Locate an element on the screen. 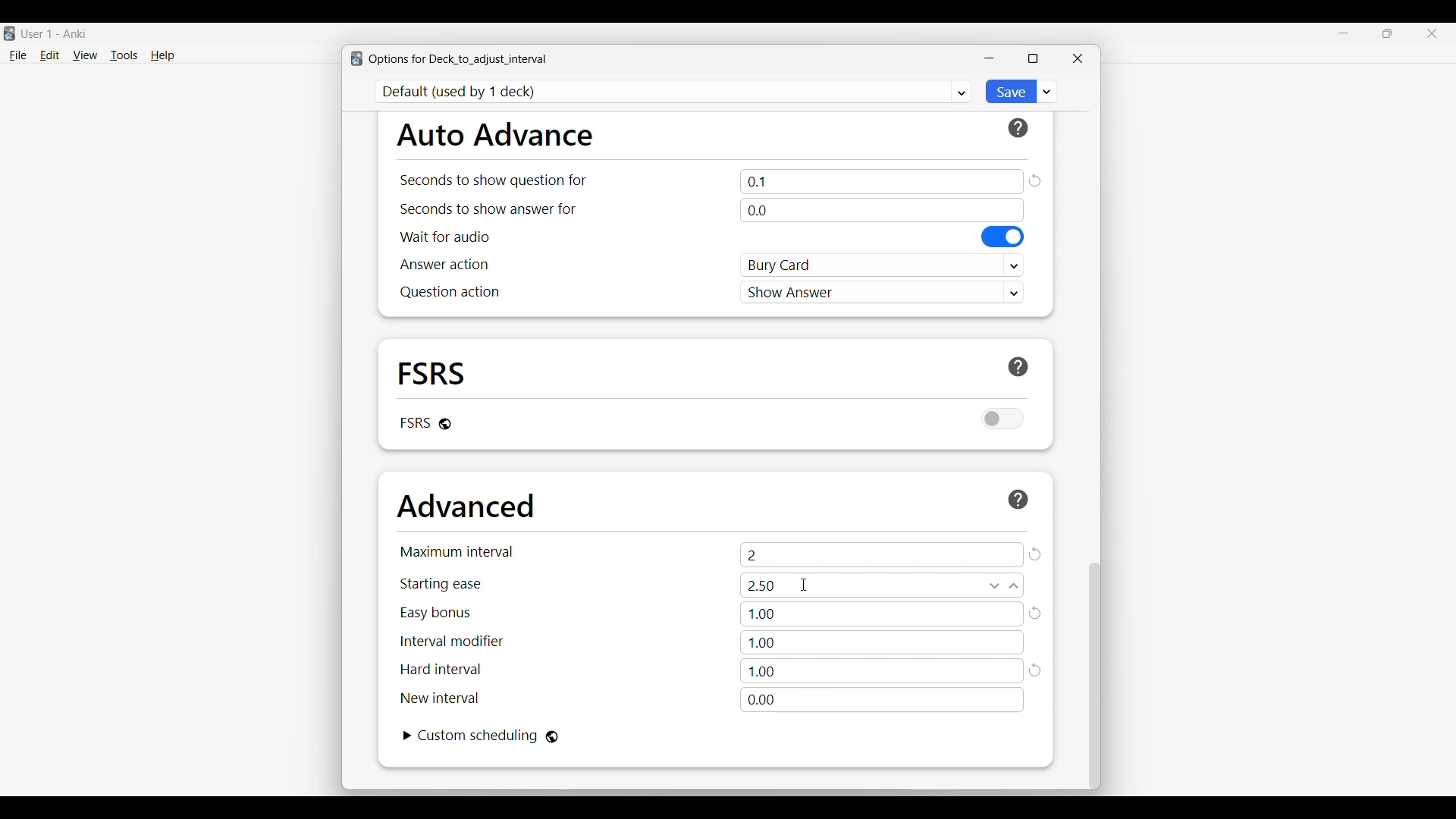 Image resolution: width=1456 pixels, height=819 pixels. Affects the entire collection is located at coordinates (552, 737).